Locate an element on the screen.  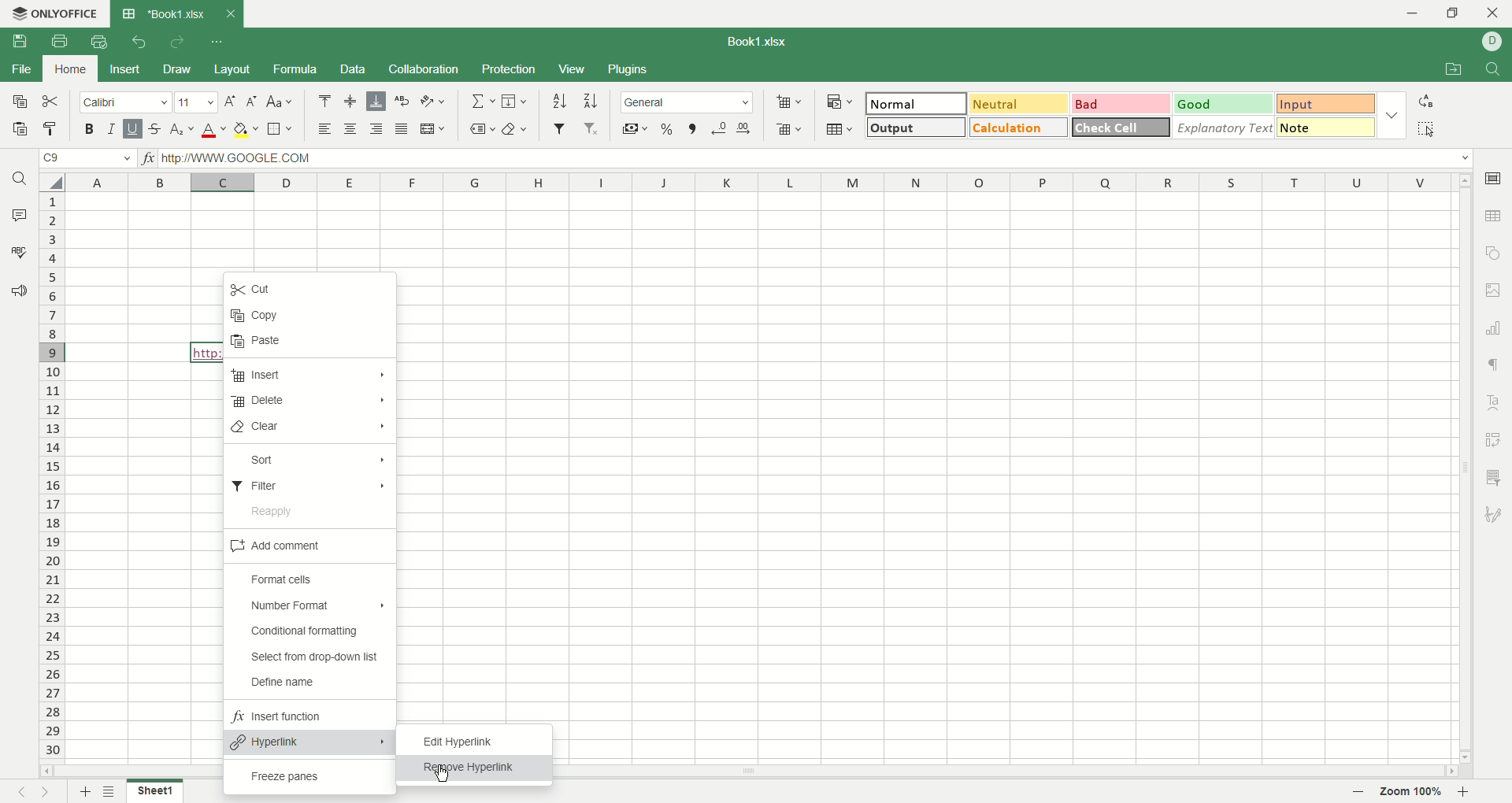
quick settings is located at coordinates (219, 40).